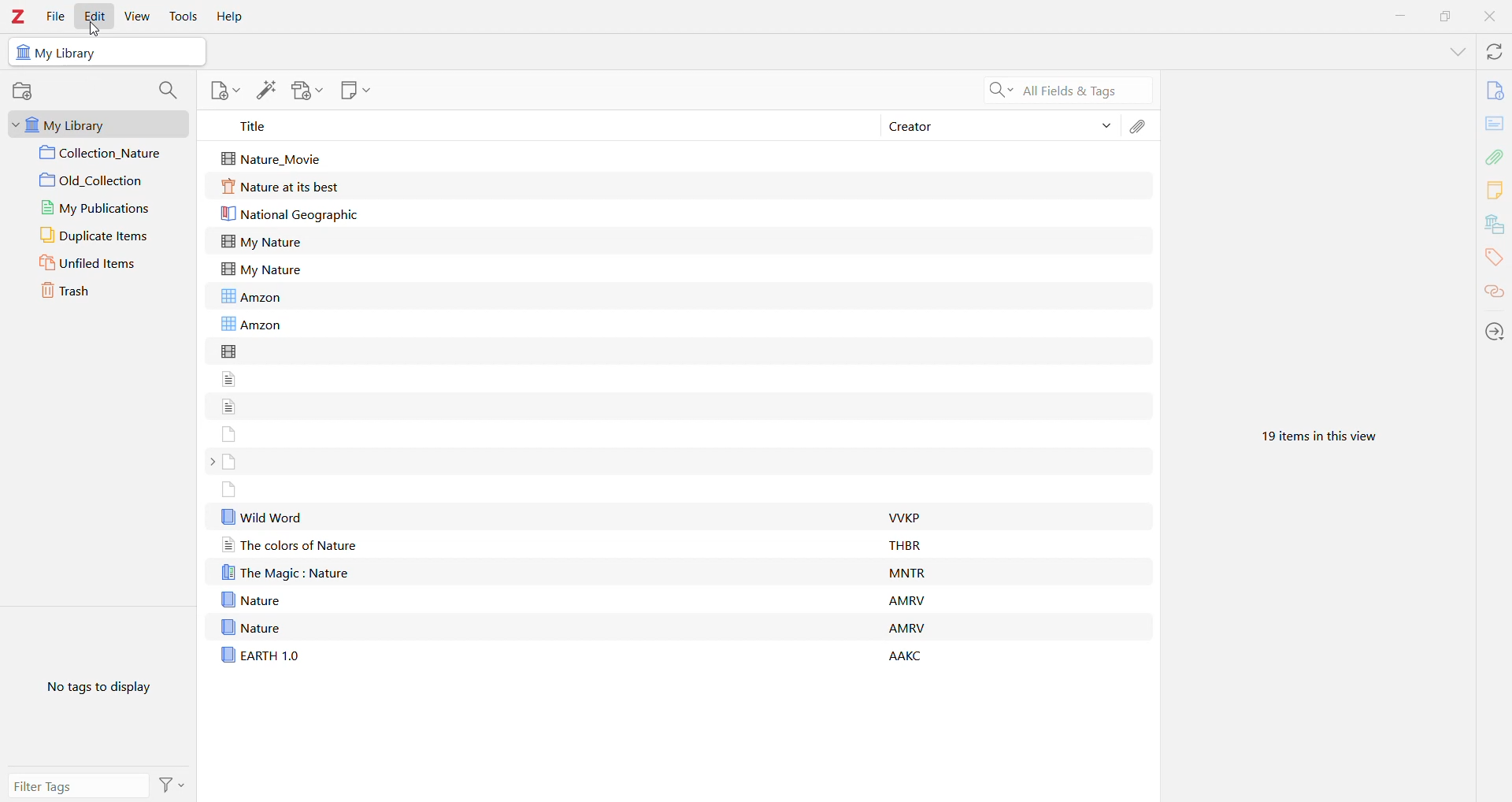 The width and height of the screenshot is (1512, 802). What do you see at coordinates (980, 127) in the screenshot?
I see `Creator` at bounding box center [980, 127].